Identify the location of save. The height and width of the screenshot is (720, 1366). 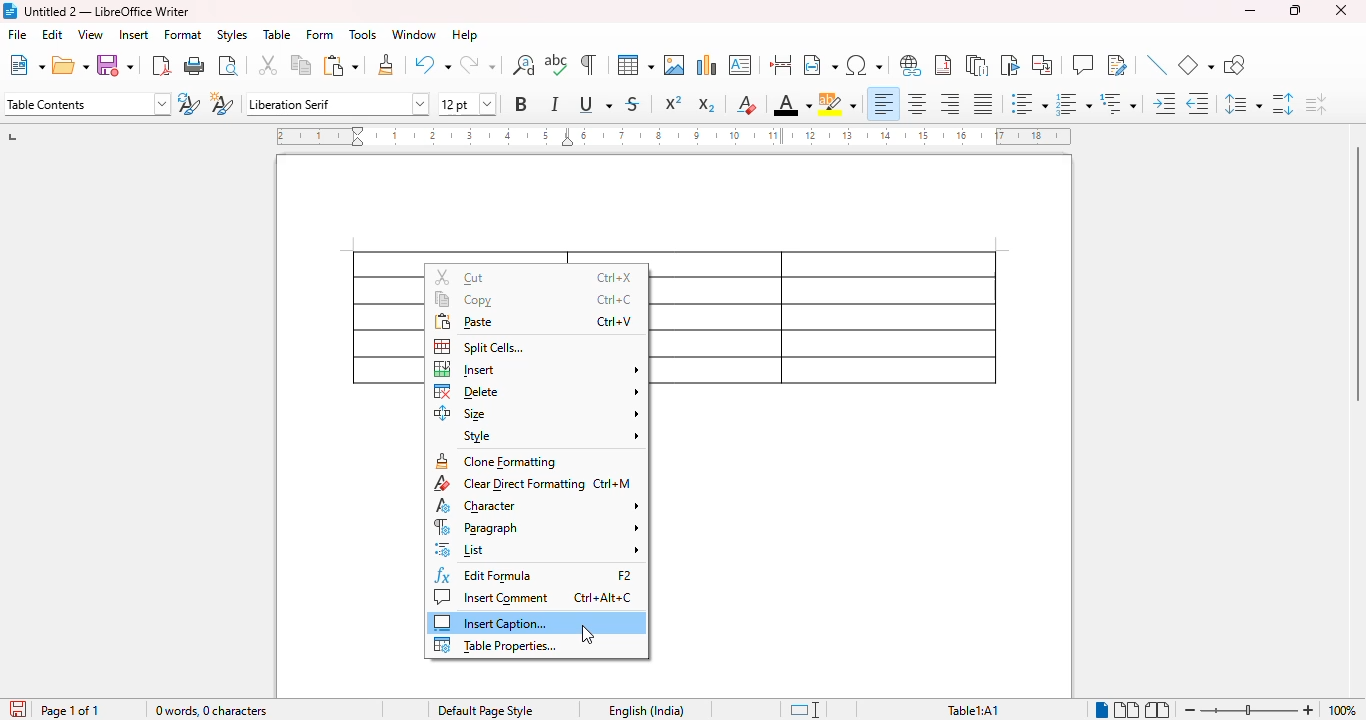
(114, 65).